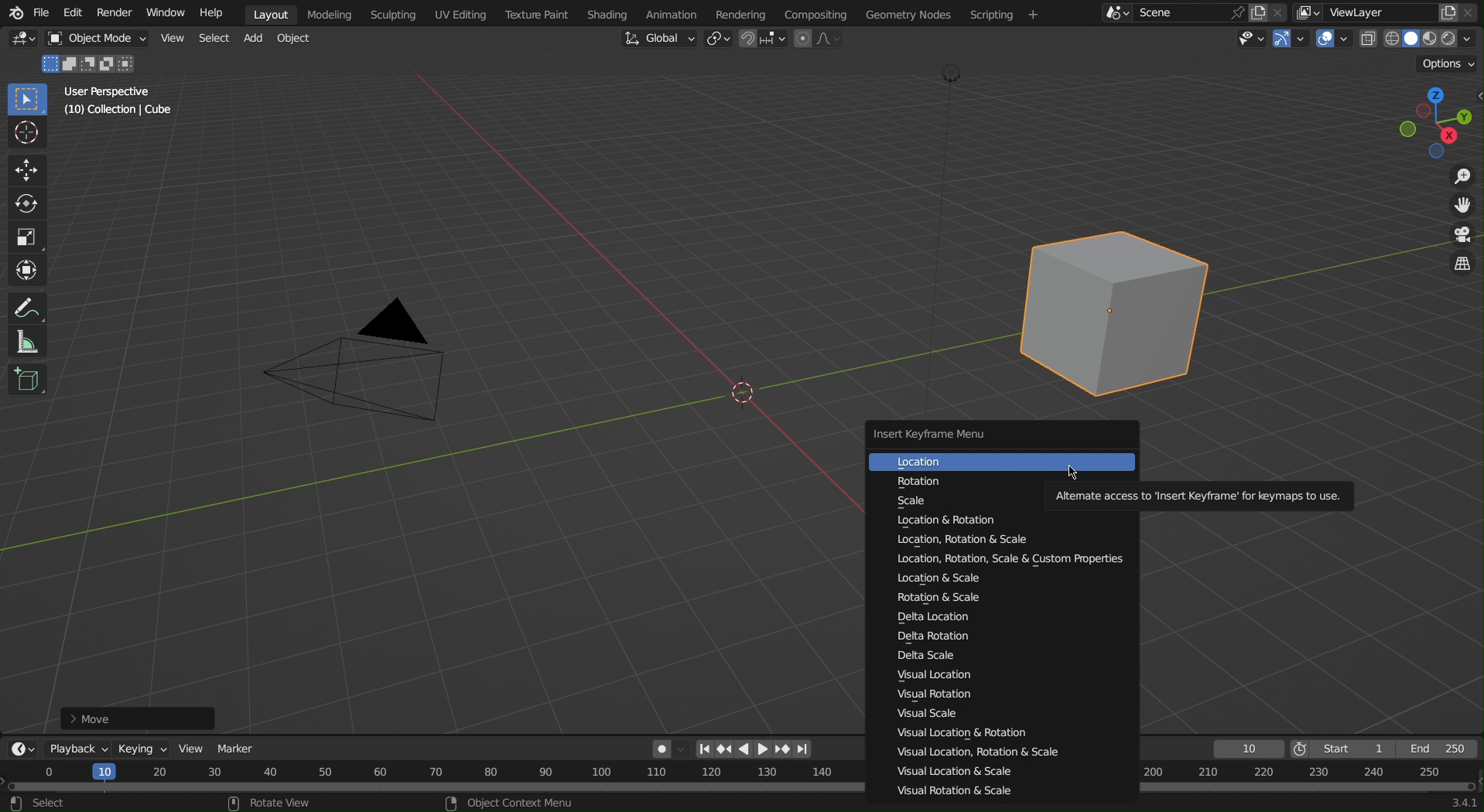  I want to click on pin, so click(1234, 12).